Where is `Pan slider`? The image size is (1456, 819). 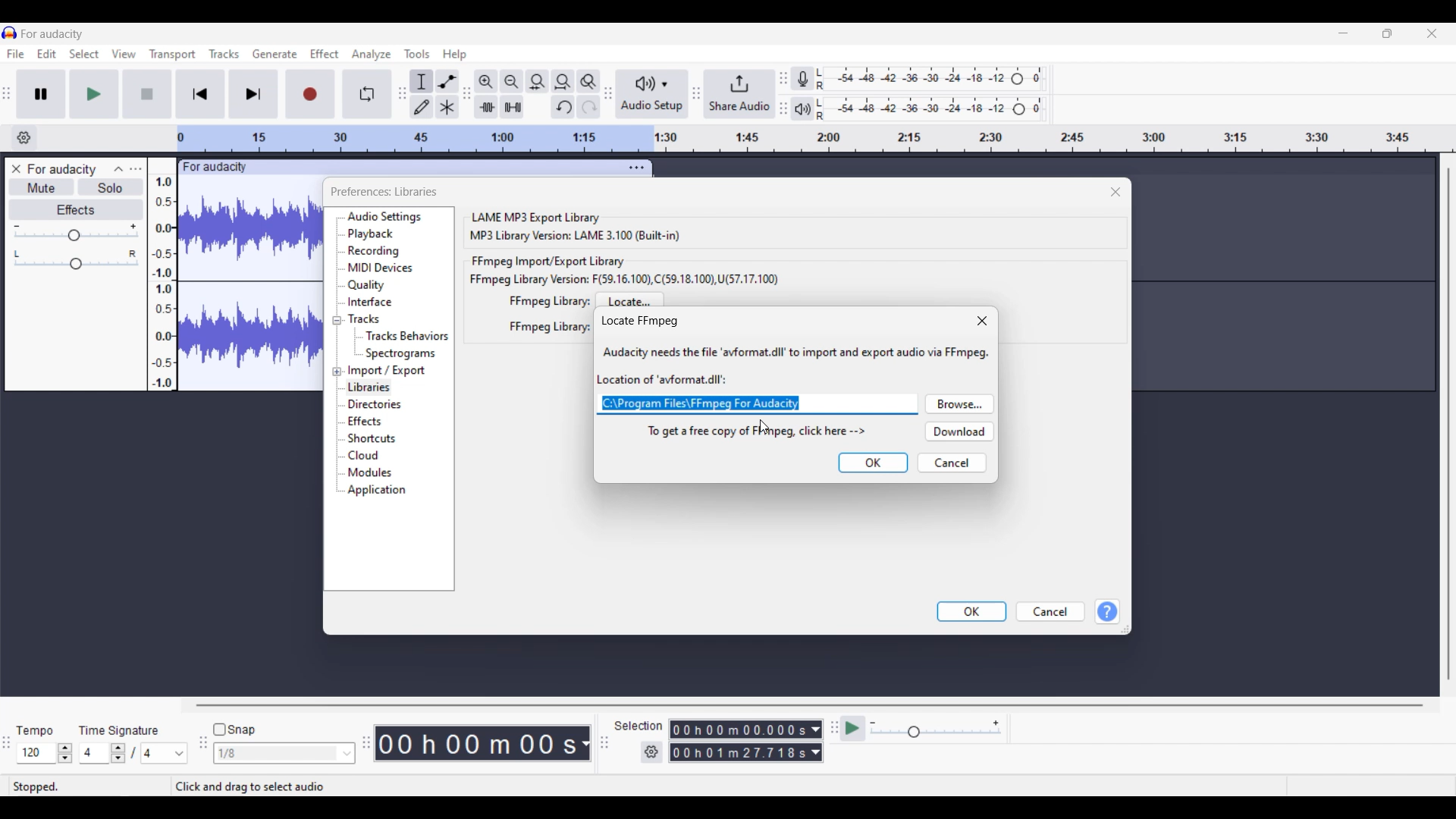 Pan slider is located at coordinates (77, 259).